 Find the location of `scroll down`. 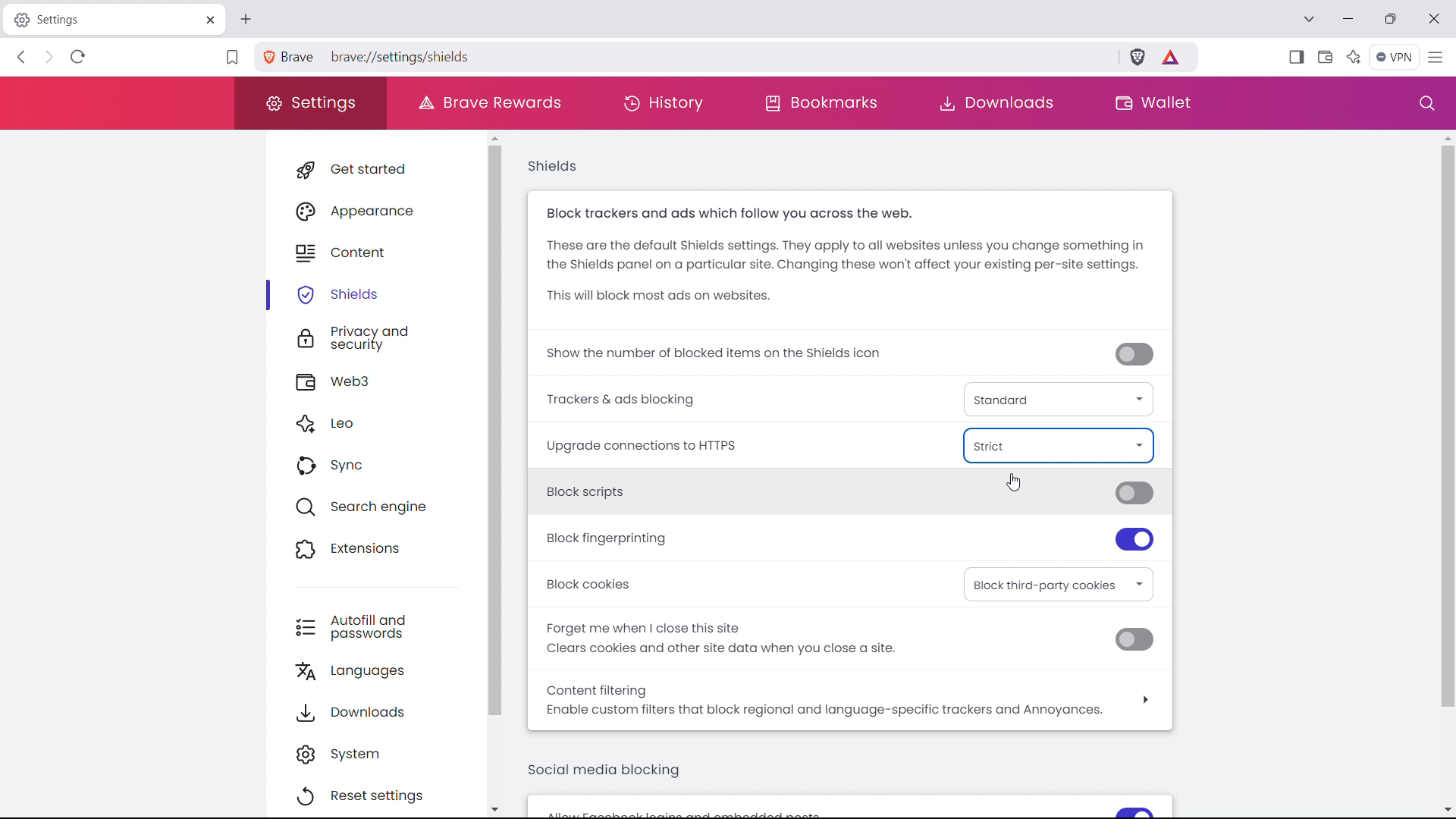

scroll down is located at coordinates (497, 808).